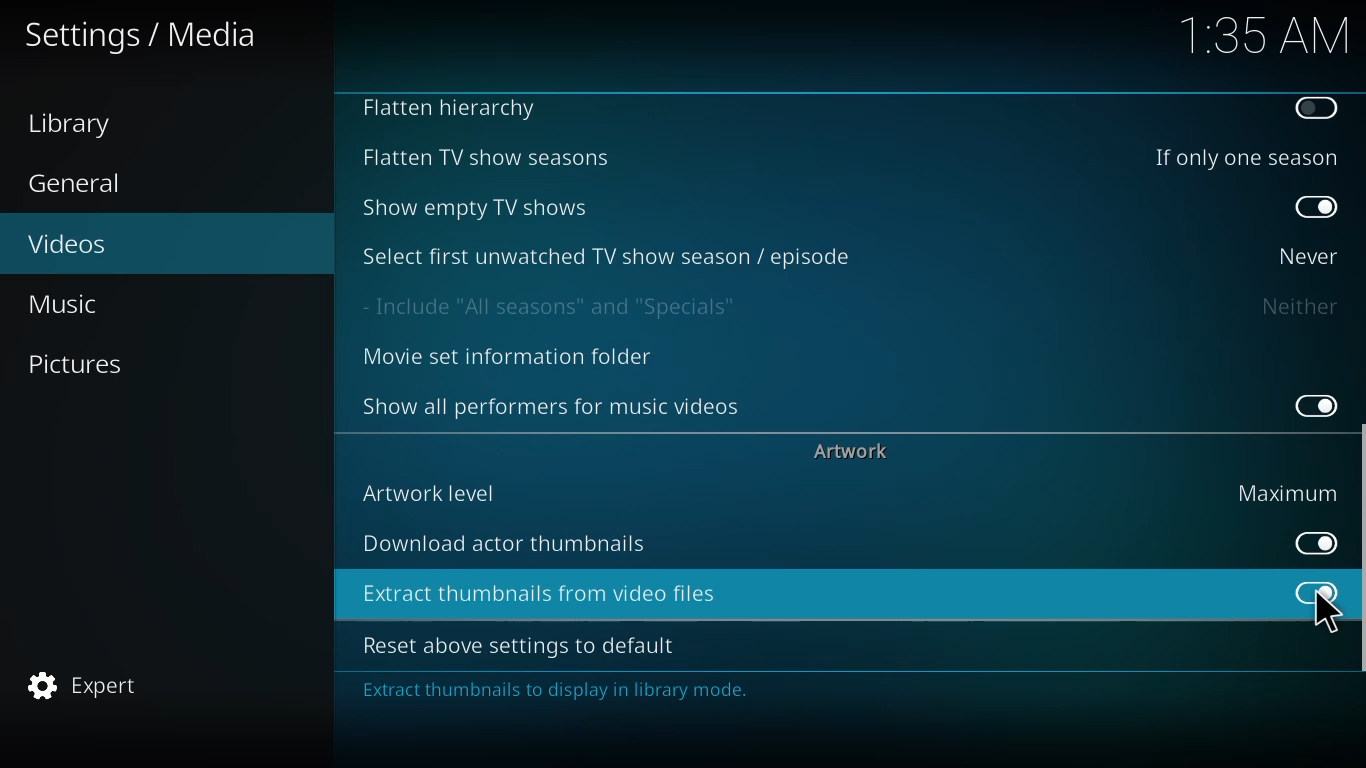  Describe the element at coordinates (1264, 33) in the screenshot. I see `time` at that location.